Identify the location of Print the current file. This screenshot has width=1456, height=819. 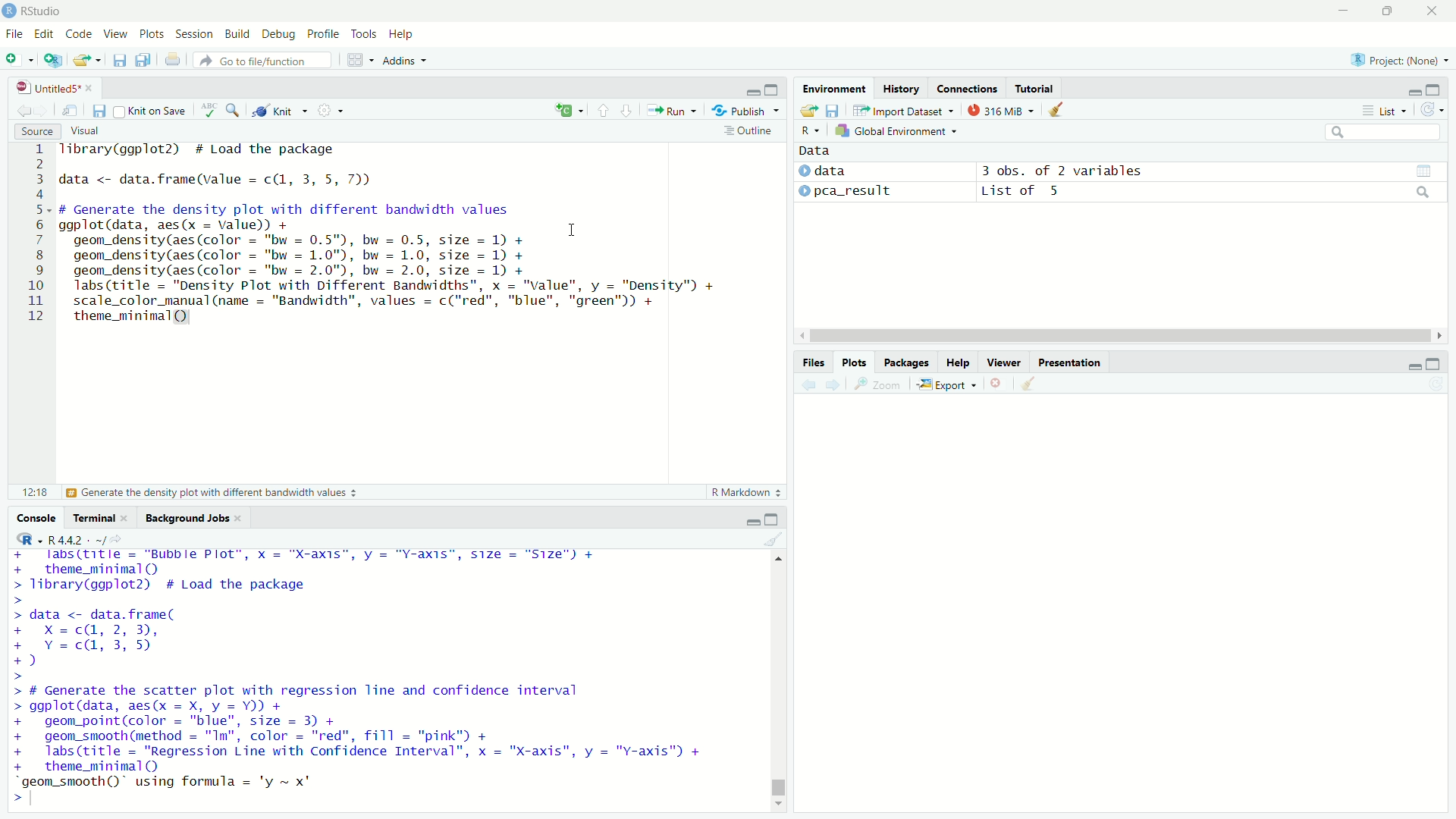
(174, 59).